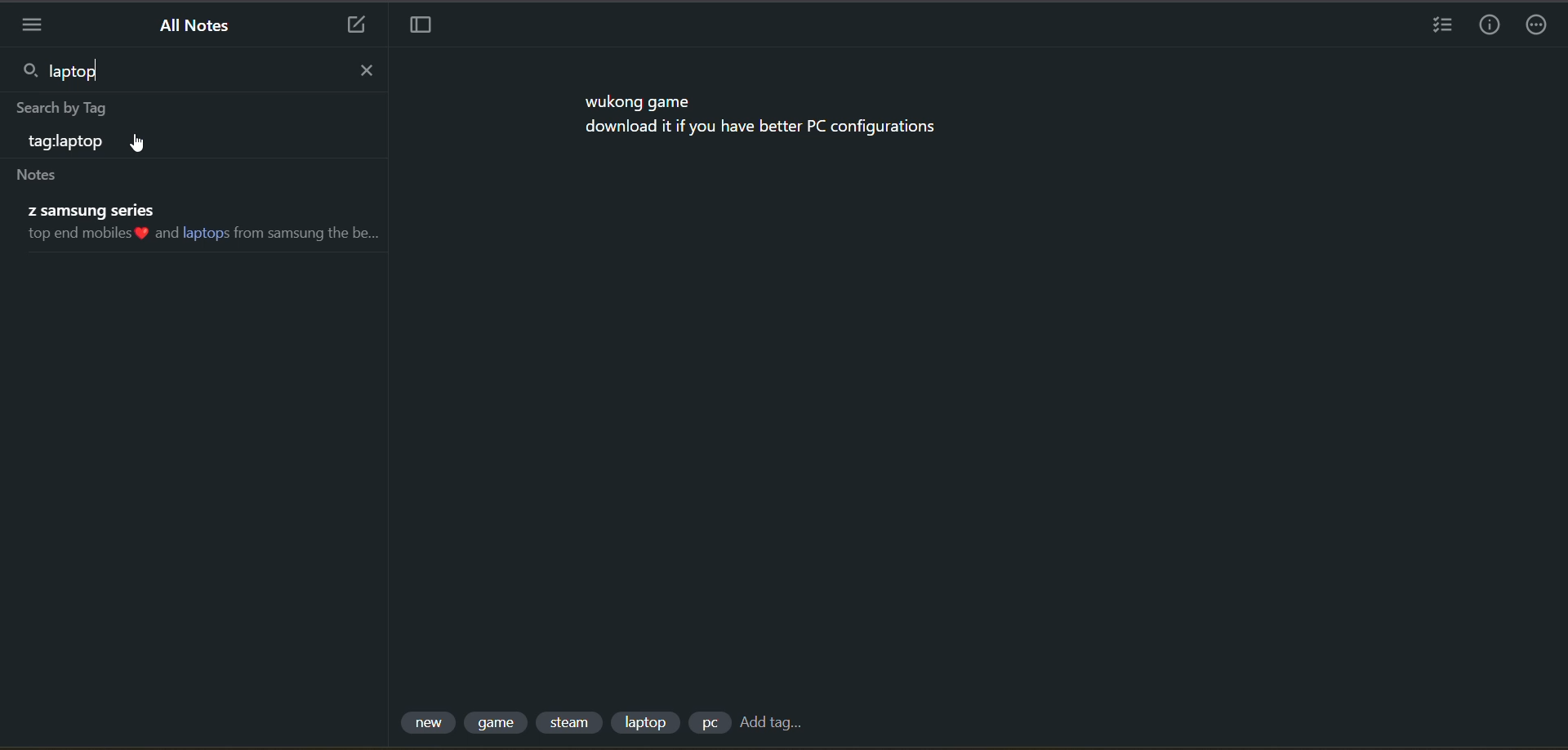  I want to click on matching tag, so click(68, 145).